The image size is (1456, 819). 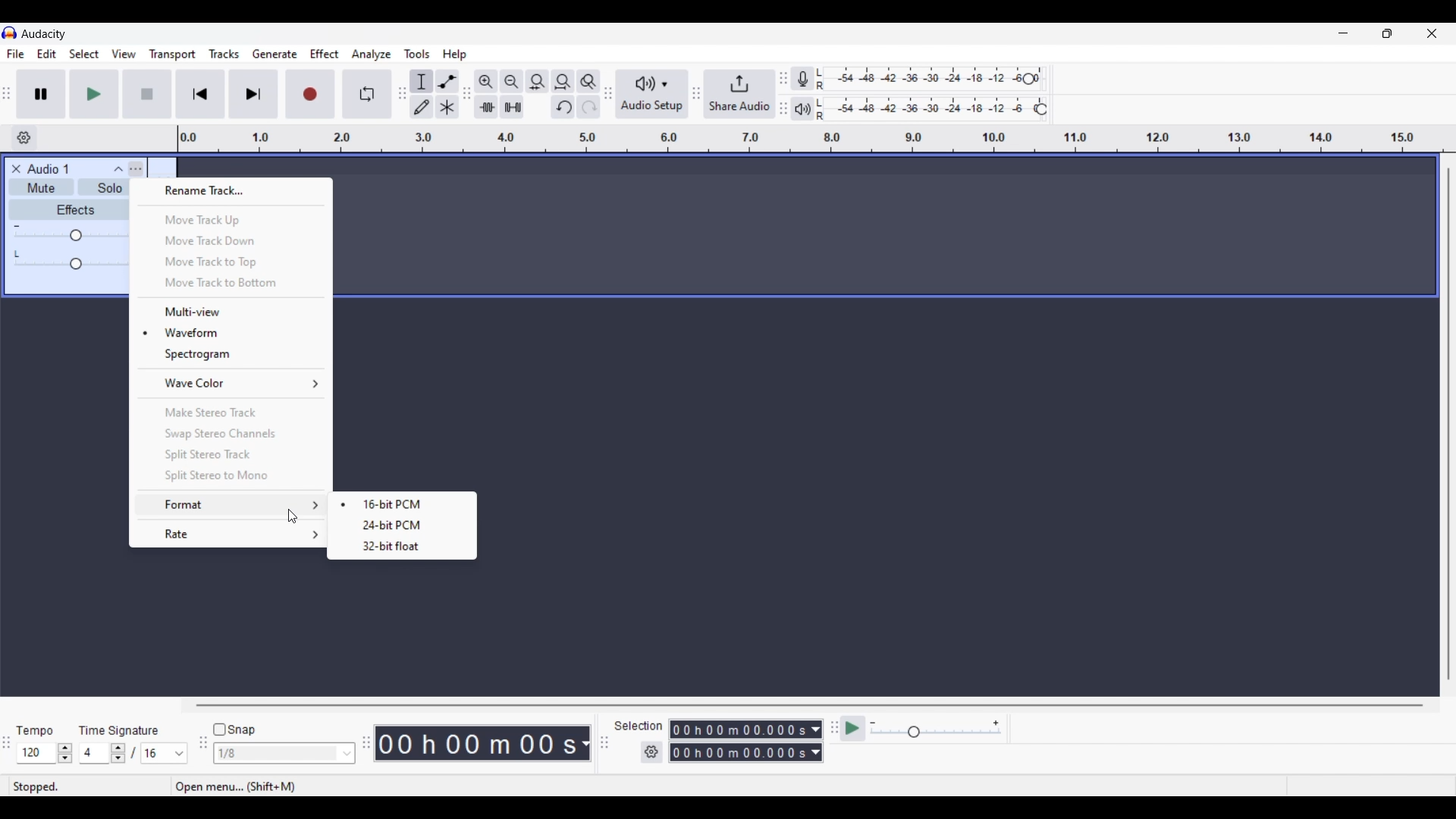 What do you see at coordinates (231, 354) in the screenshot?
I see `Spectrogram view of audio waves` at bounding box center [231, 354].